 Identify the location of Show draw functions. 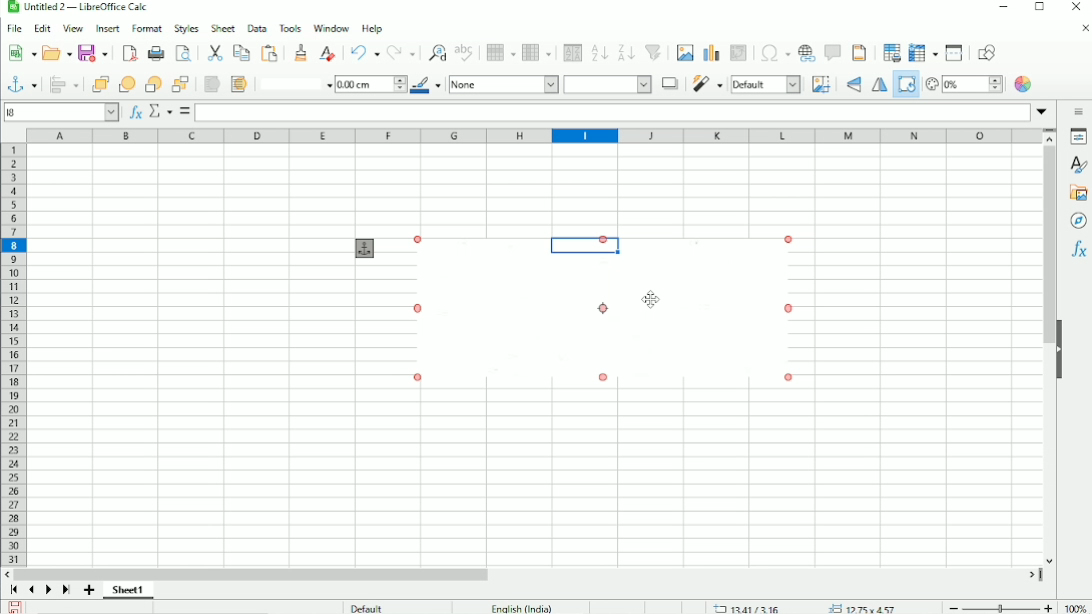
(987, 52).